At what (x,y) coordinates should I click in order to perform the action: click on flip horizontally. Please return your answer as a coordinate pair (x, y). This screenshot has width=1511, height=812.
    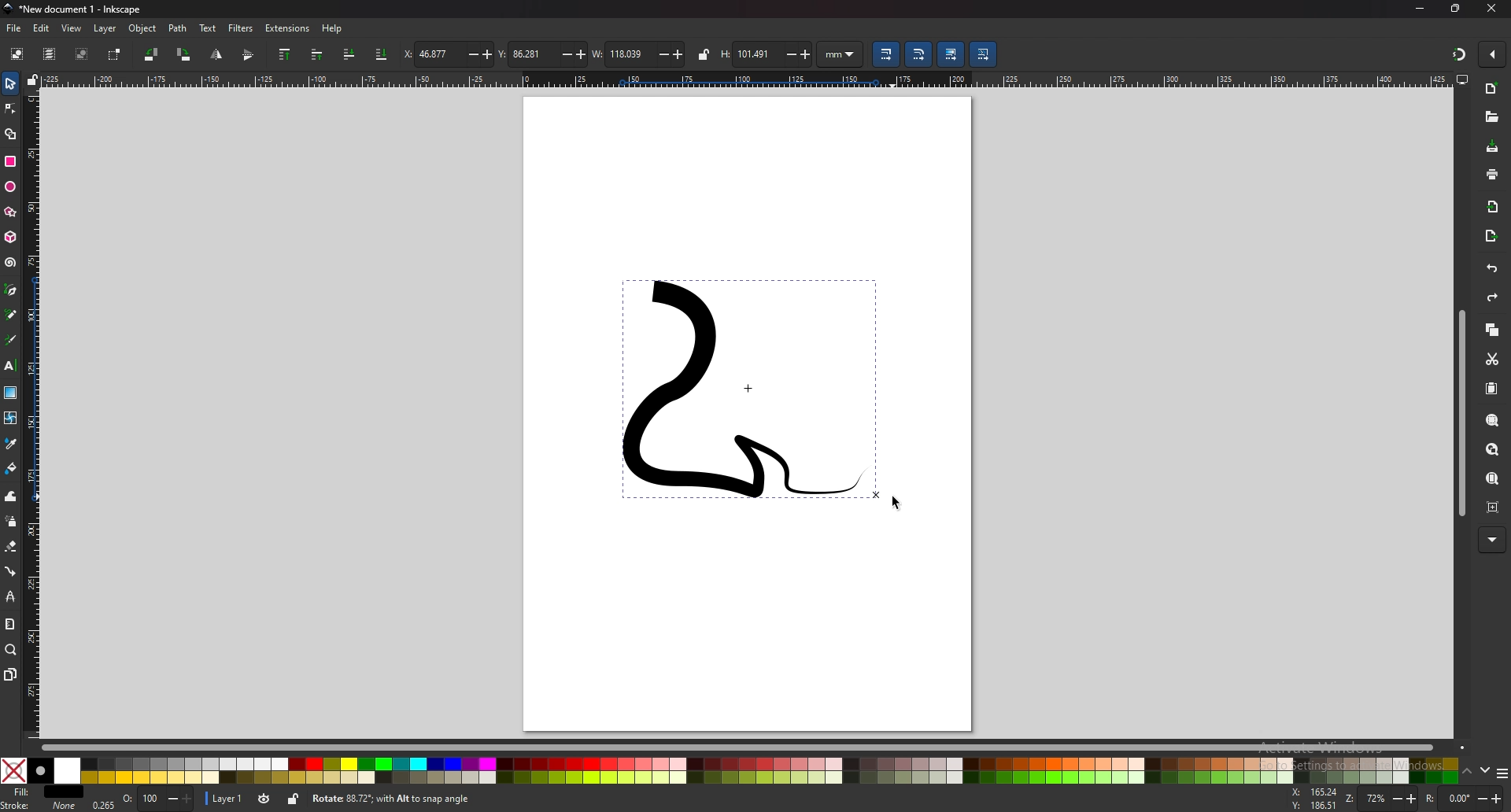
    Looking at the image, I should click on (249, 55).